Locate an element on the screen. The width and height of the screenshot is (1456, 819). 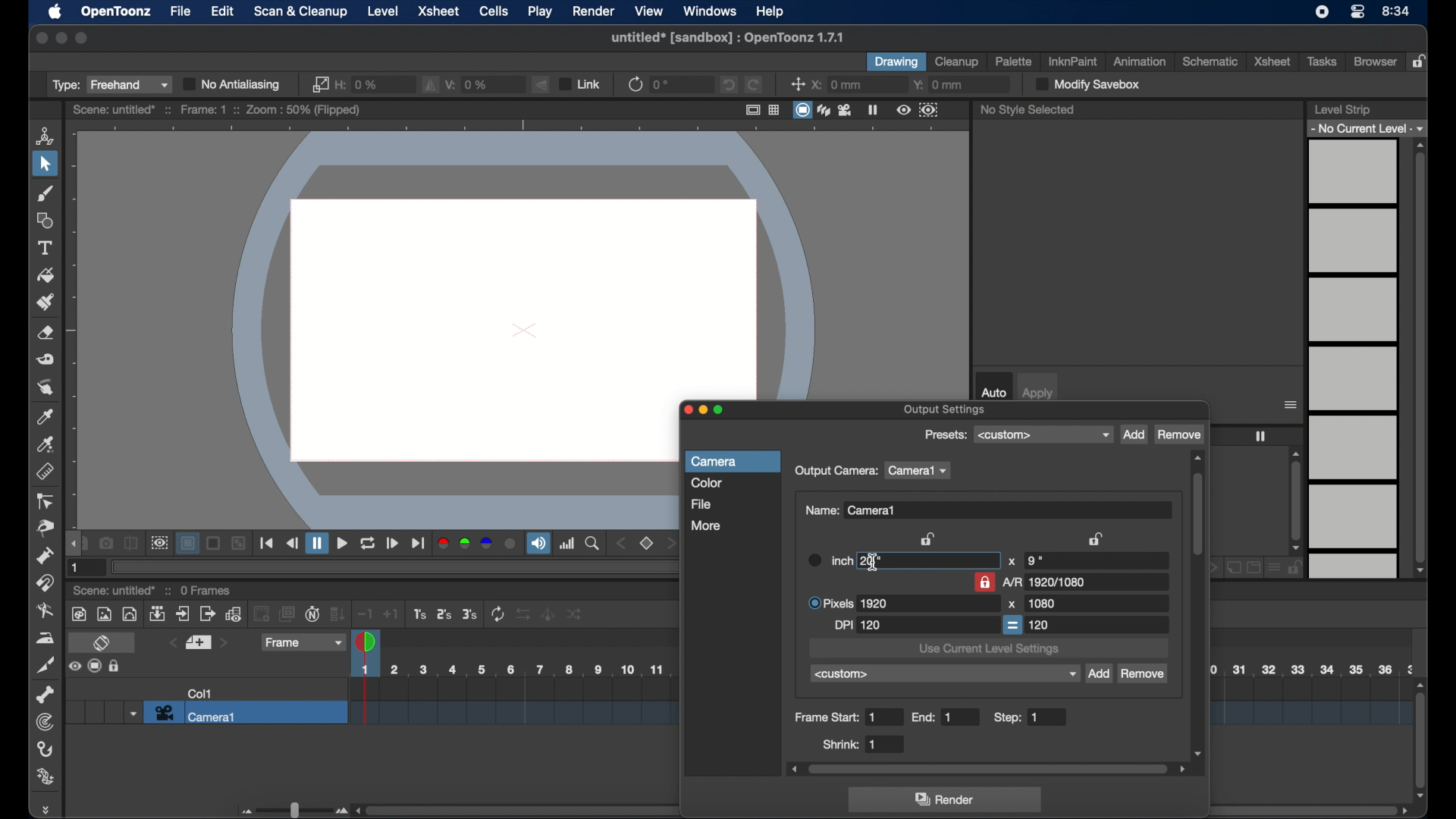
blender tool is located at coordinates (45, 611).